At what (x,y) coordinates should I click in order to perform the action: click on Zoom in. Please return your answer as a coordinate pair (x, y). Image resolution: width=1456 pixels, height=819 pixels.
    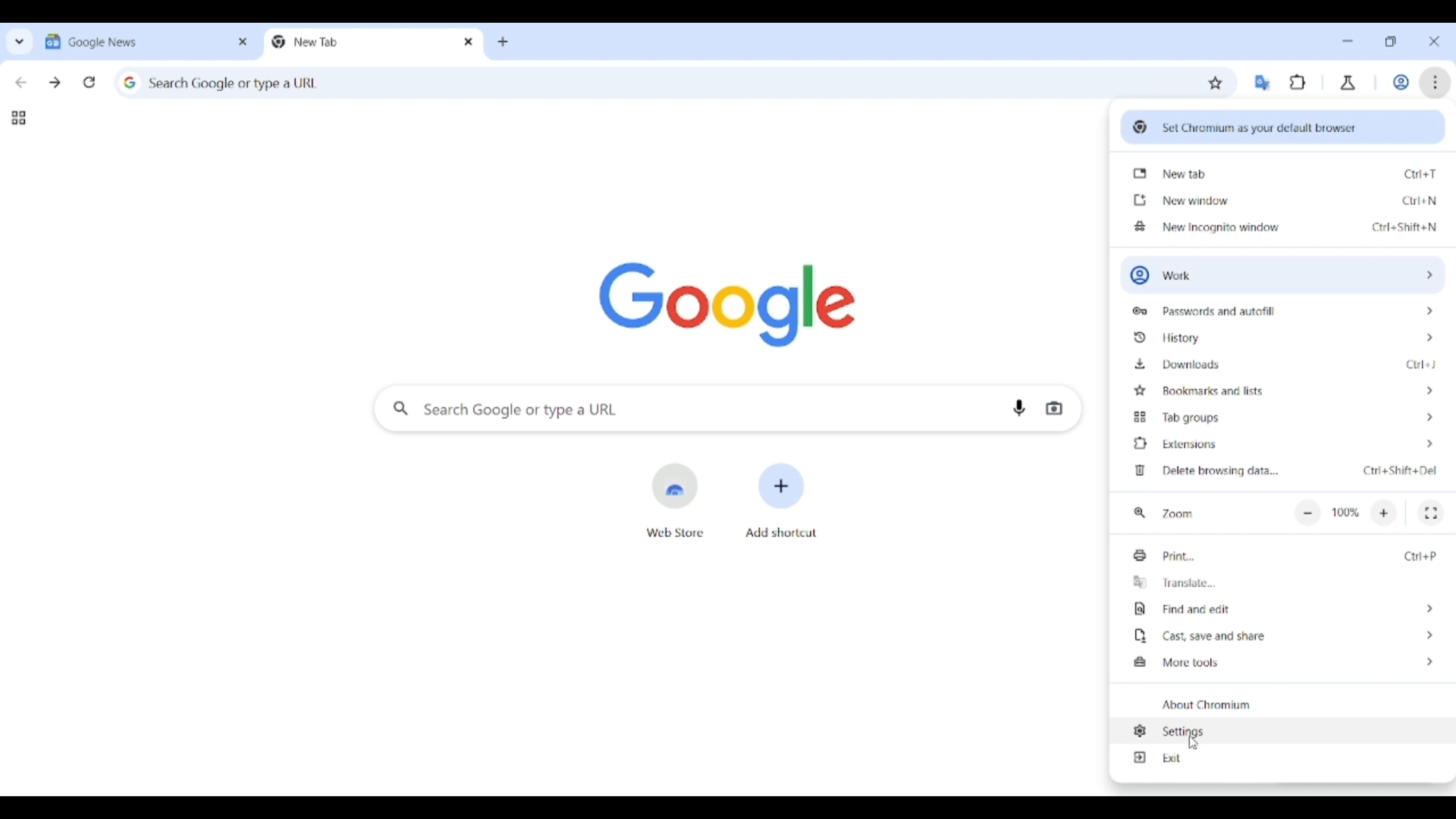
    Looking at the image, I should click on (1384, 513).